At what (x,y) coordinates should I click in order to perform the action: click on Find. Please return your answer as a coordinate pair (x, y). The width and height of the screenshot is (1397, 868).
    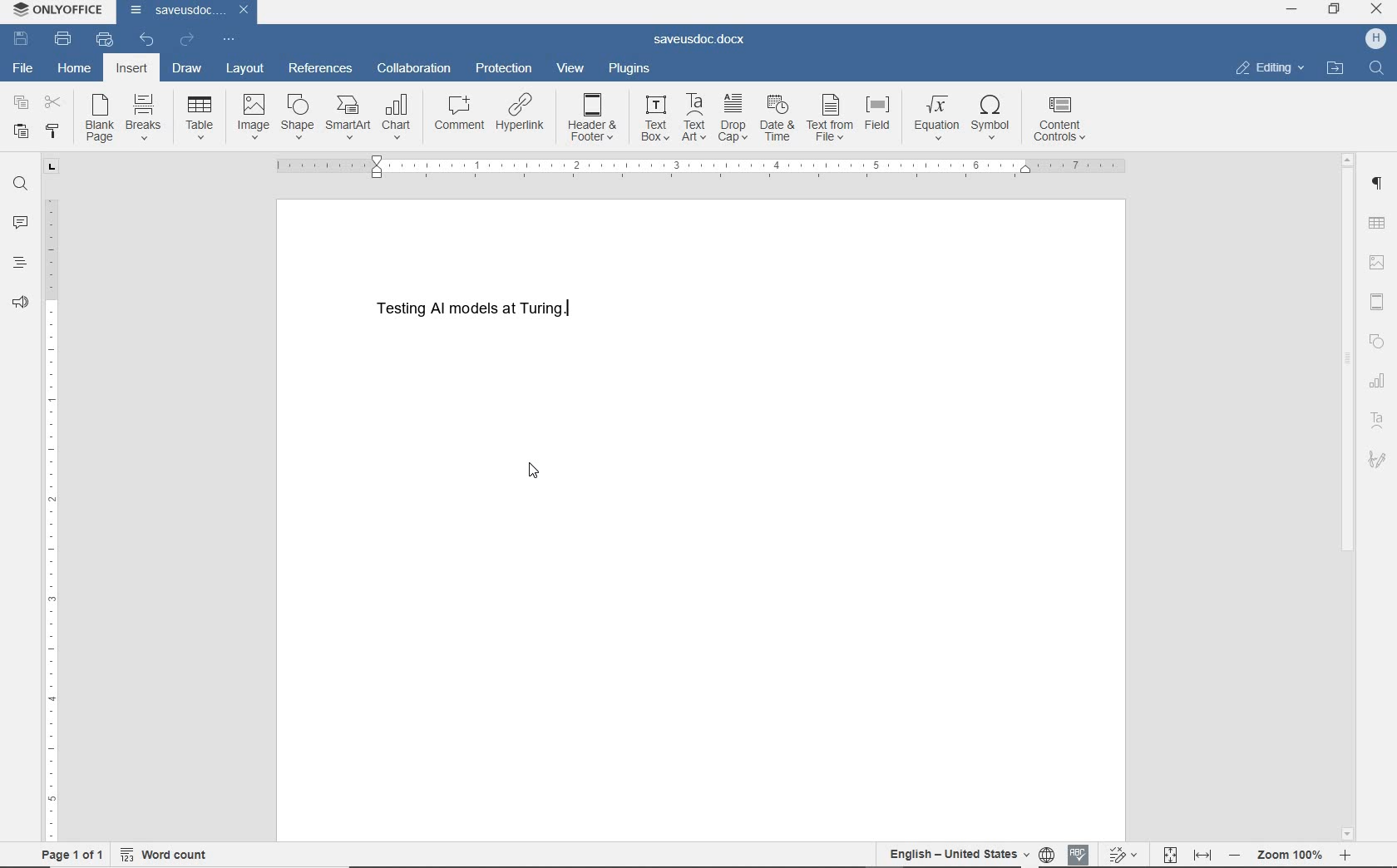
    Looking at the image, I should click on (1376, 70).